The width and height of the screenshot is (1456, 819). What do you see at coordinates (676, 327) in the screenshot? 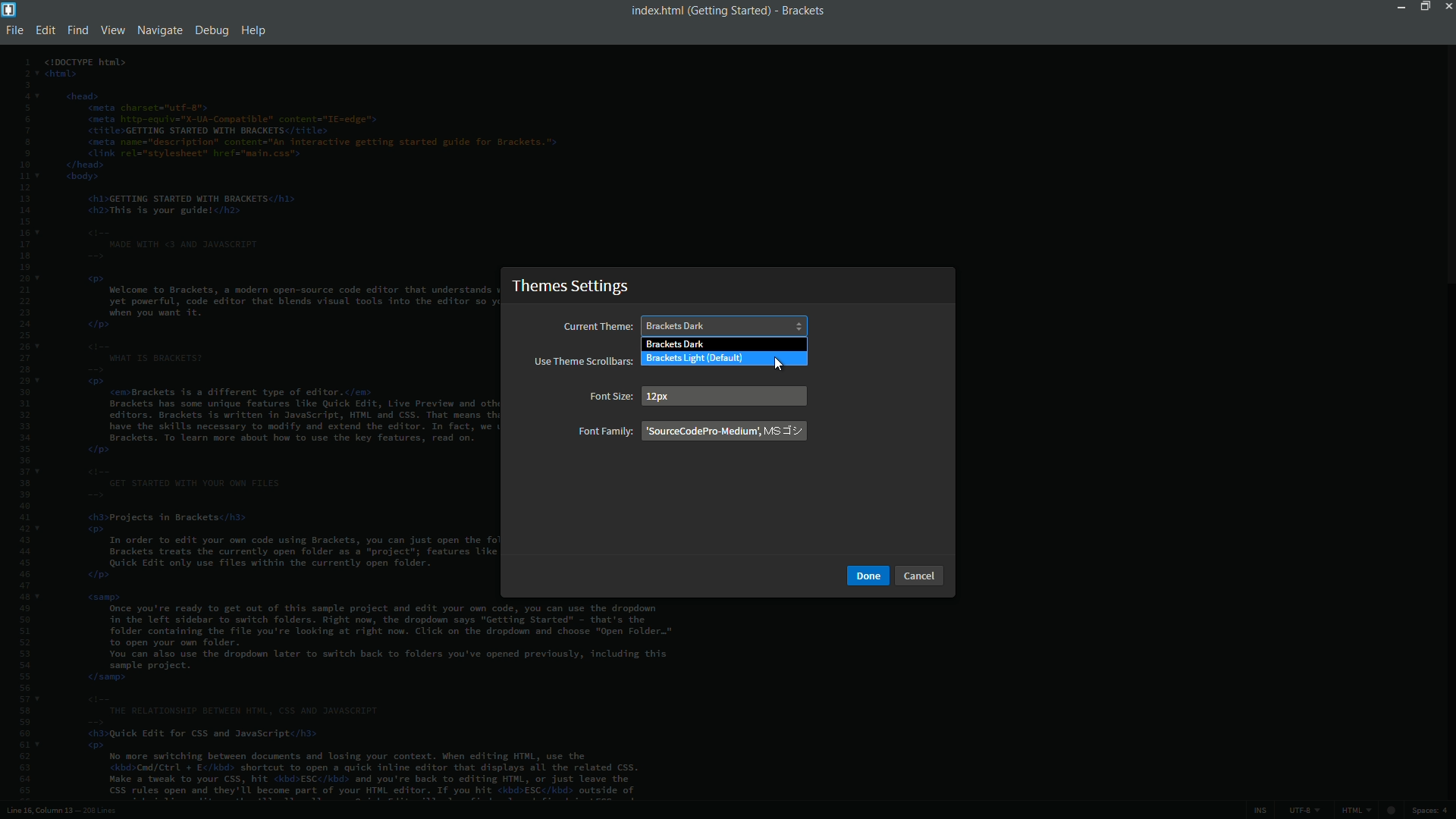
I see `brackets dark` at bounding box center [676, 327].